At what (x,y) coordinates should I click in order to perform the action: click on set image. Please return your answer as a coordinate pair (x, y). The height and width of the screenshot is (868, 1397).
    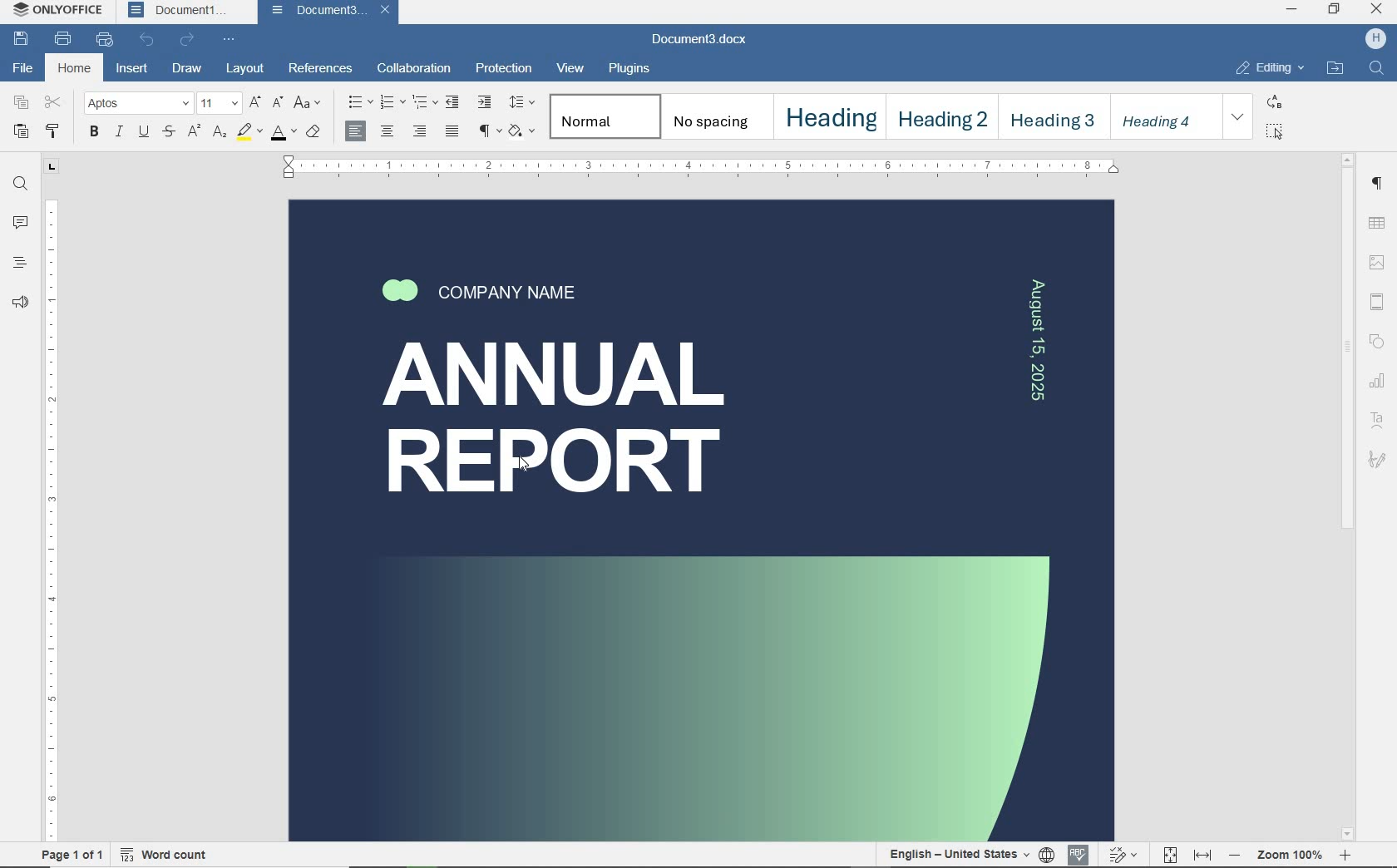
    Looking at the image, I should click on (1378, 262).